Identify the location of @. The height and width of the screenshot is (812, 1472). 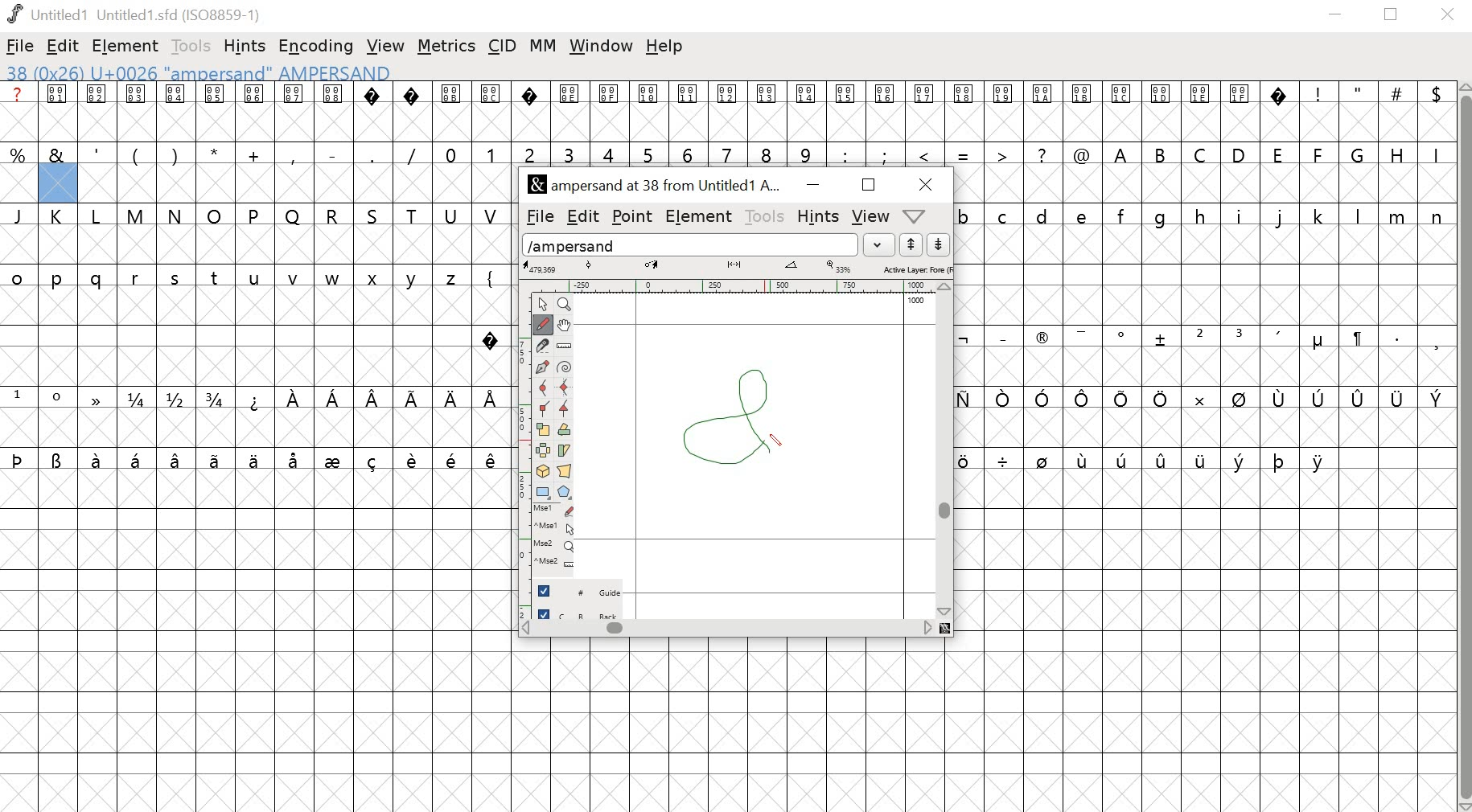
(1082, 153).